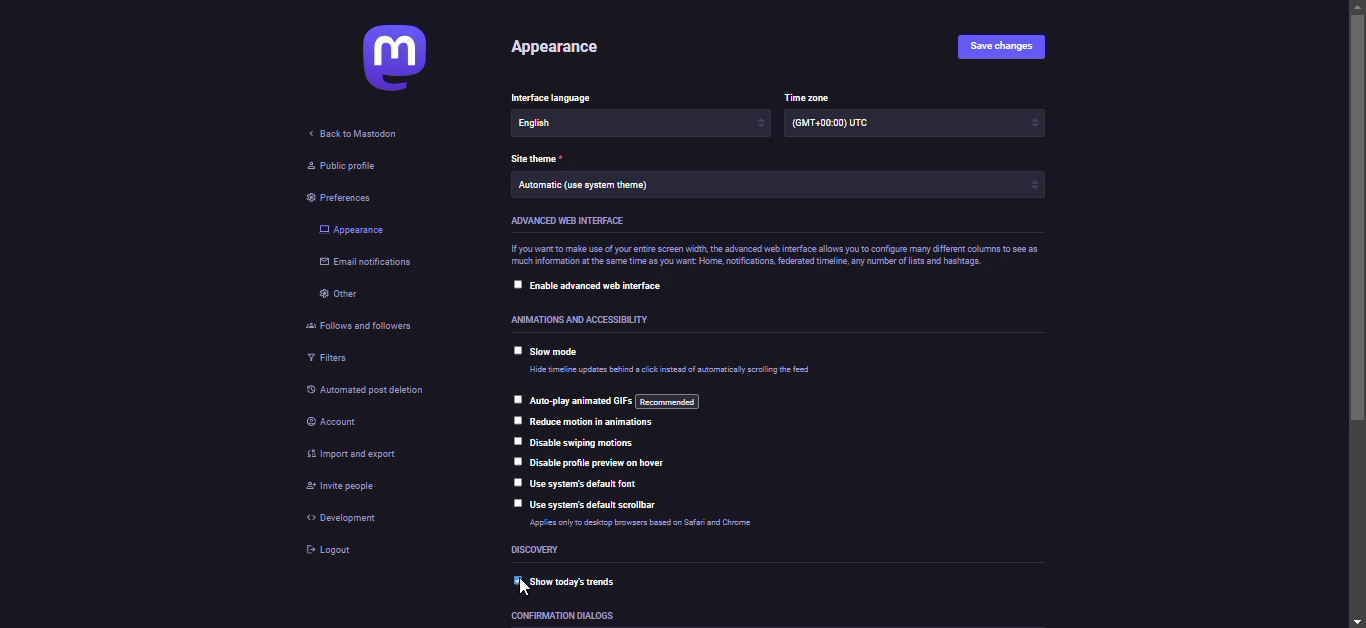  Describe the element at coordinates (570, 222) in the screenshot. I see `advanced web interface` at that location.